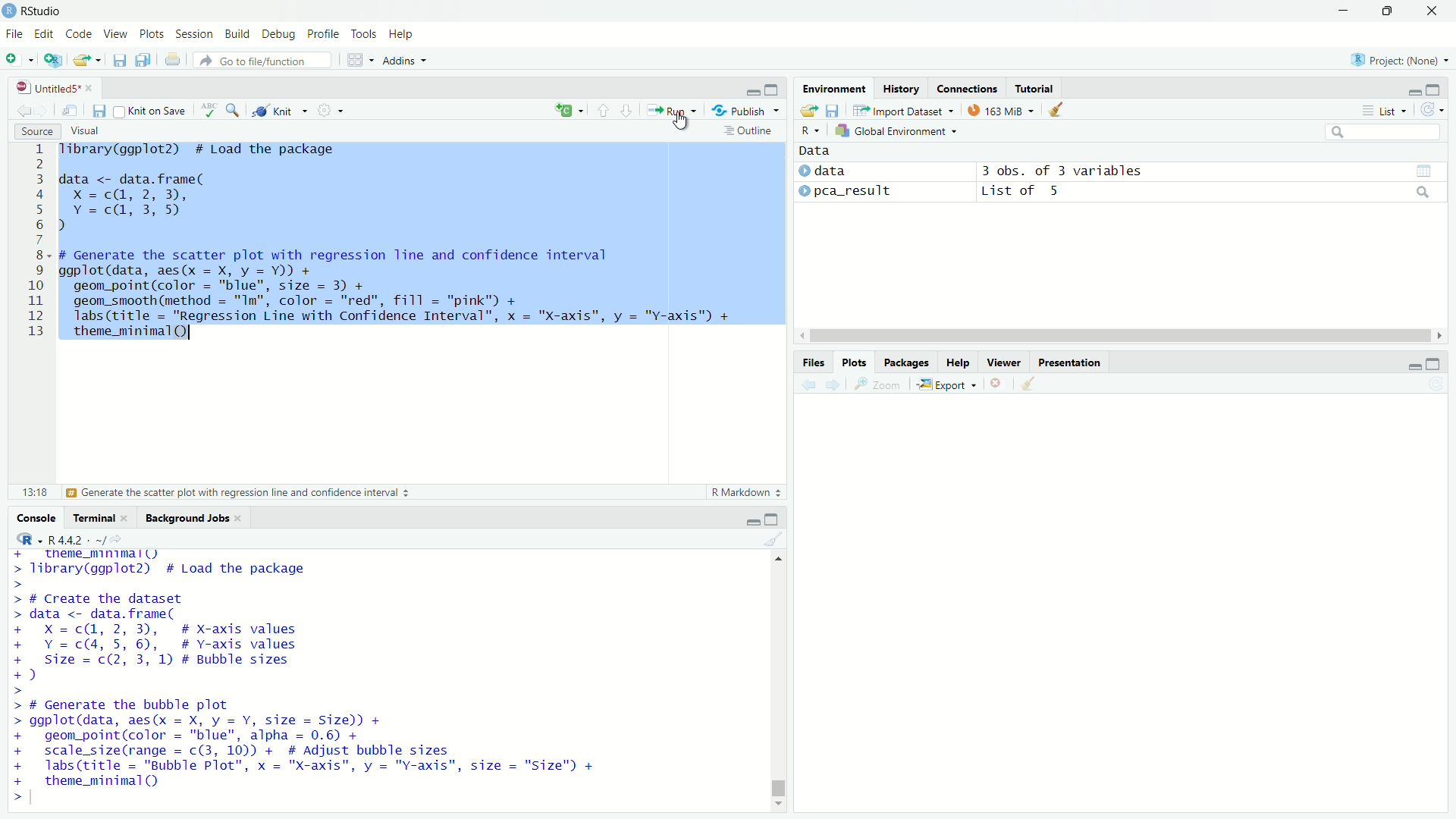 The image size is (1456, 819). I want to click on Save current document, so click(99, 110).